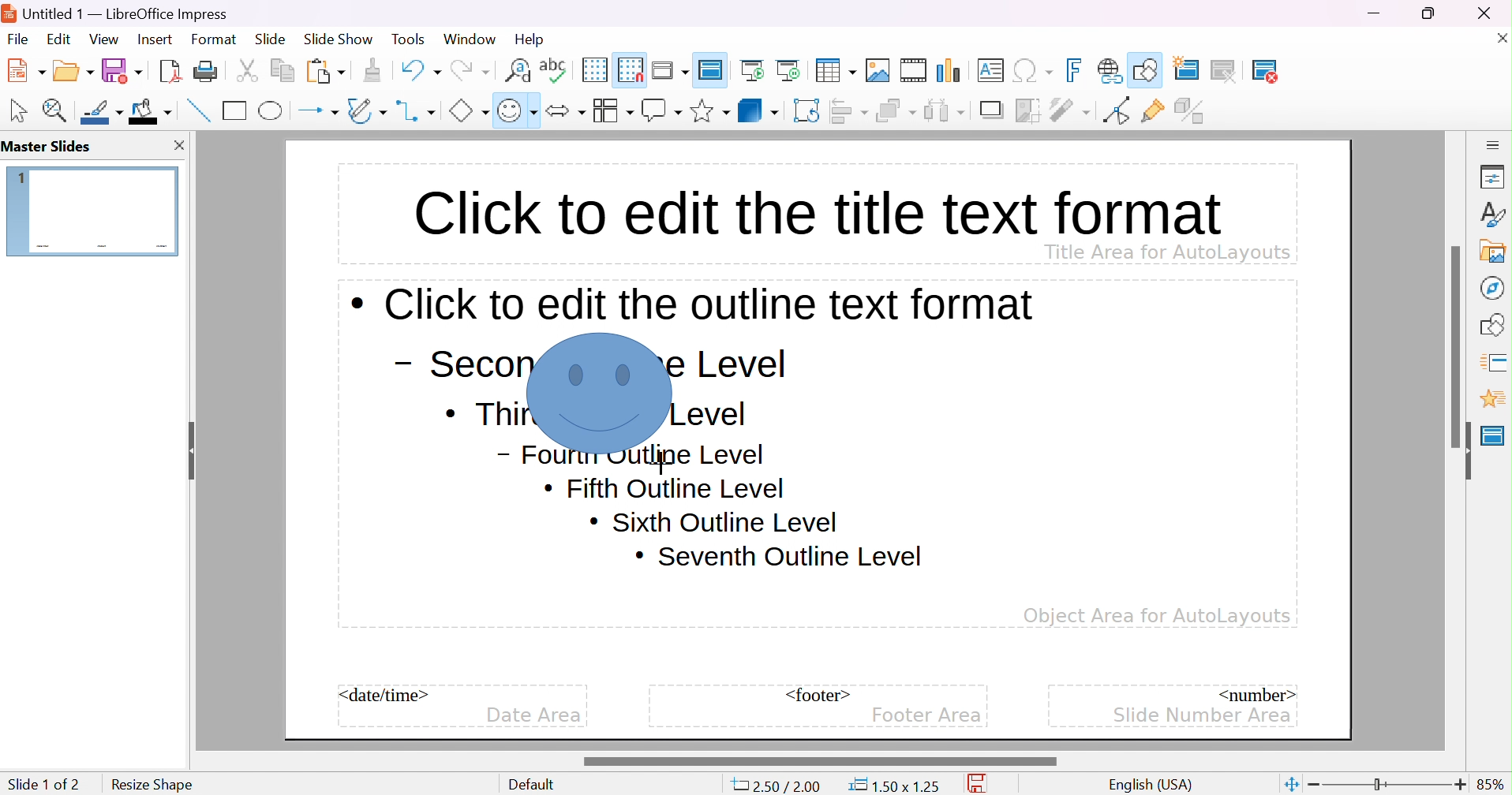 Image resolution: width=1512 pixels, height=795 pixels. I want to click on callout shapes, so click(661, 110).